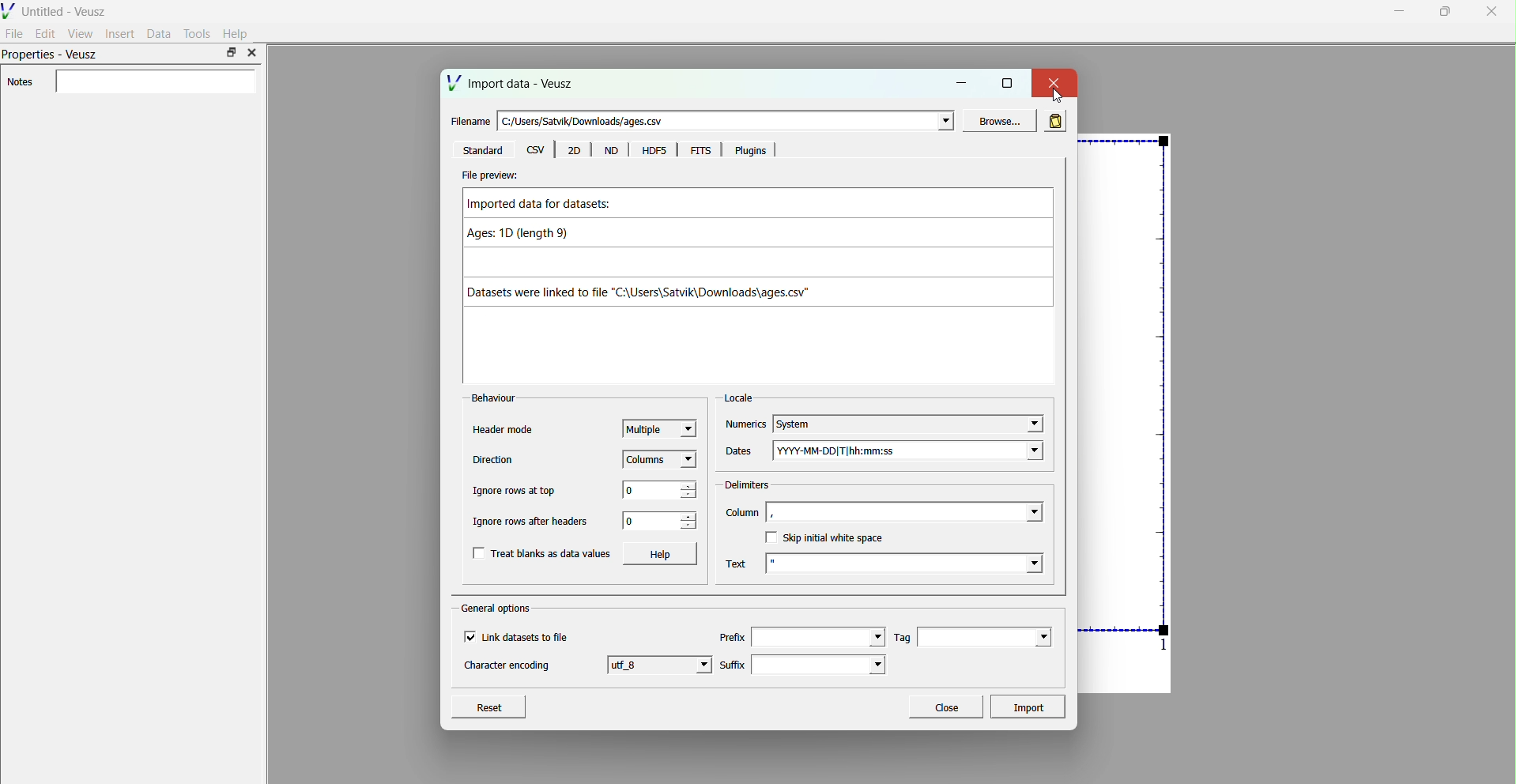 This screenshot has width=1516, height=784. I want to click on Suffix, so click(733, 663).